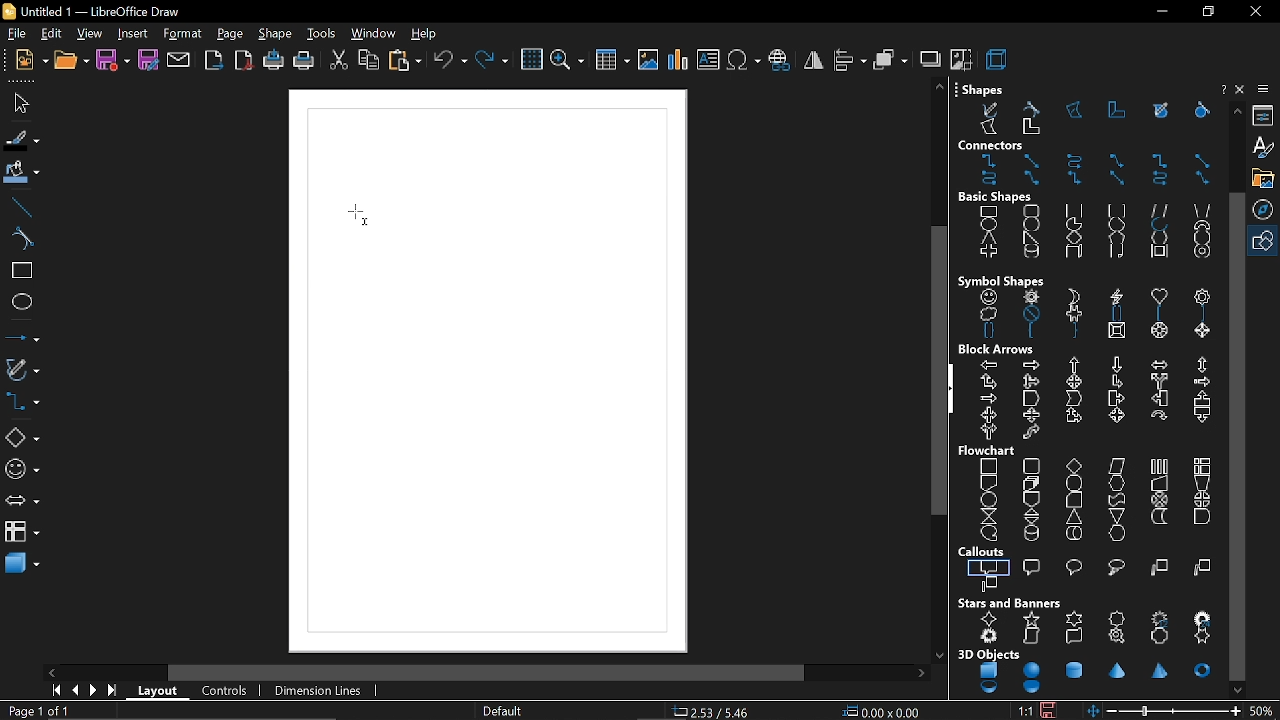 Image resolution: width=1280 pixels, height=720 pixels. I want to click on left and right arrow callout, so click(990, 414).